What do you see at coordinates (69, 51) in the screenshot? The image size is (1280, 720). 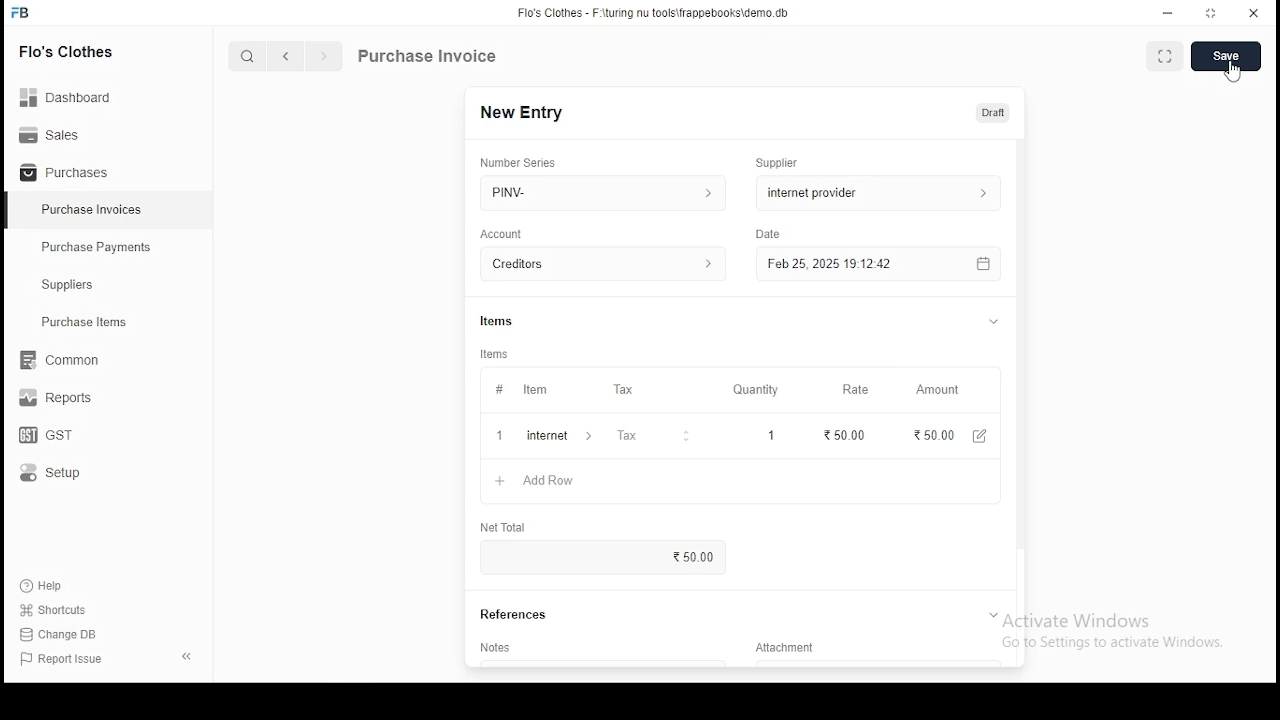 I see `flo's clothes` at bounding box center [69, 51].